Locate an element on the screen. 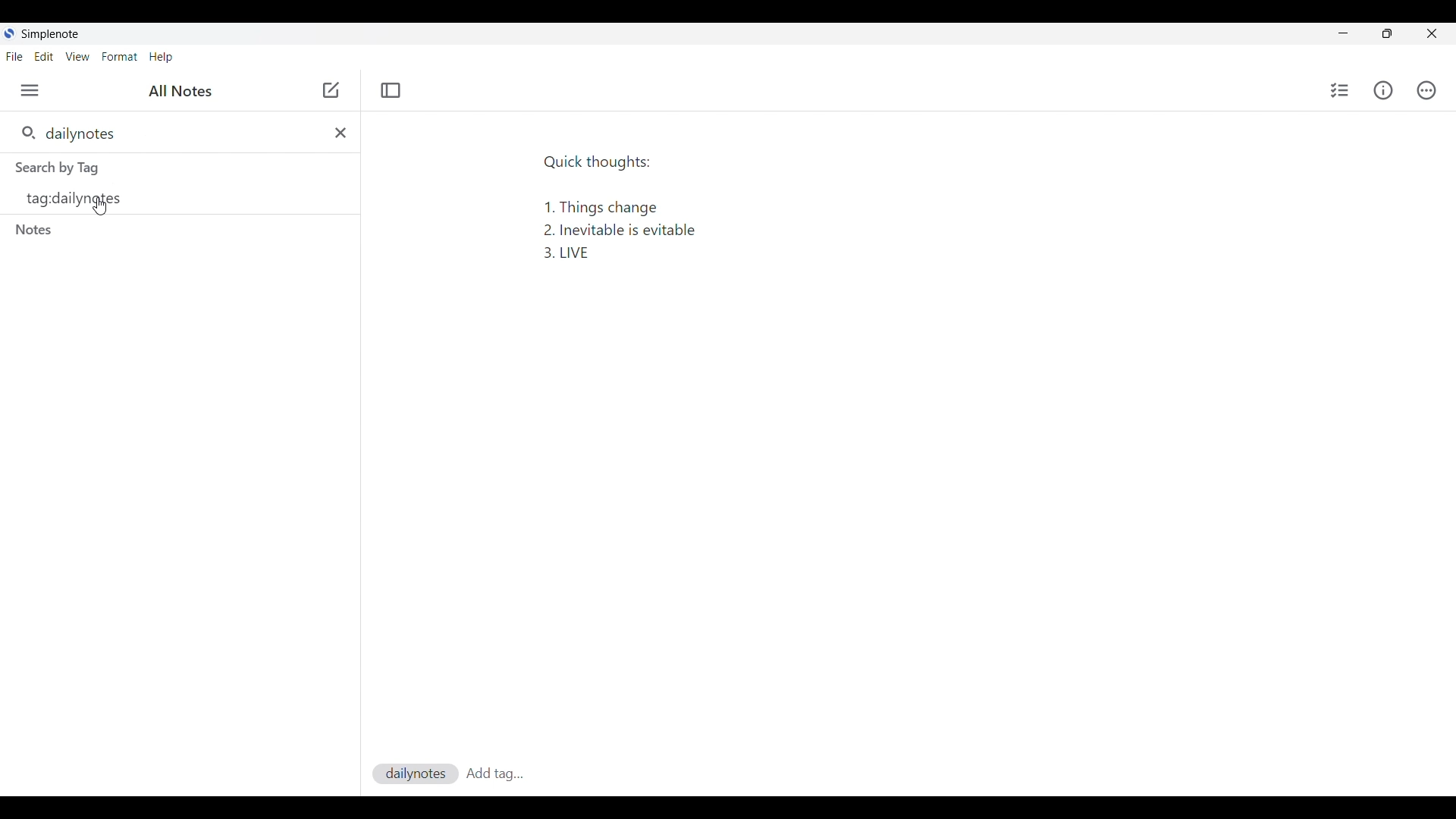 This screenshot has width=1456, height=819. Add tag is located at coordinates (497, 771).